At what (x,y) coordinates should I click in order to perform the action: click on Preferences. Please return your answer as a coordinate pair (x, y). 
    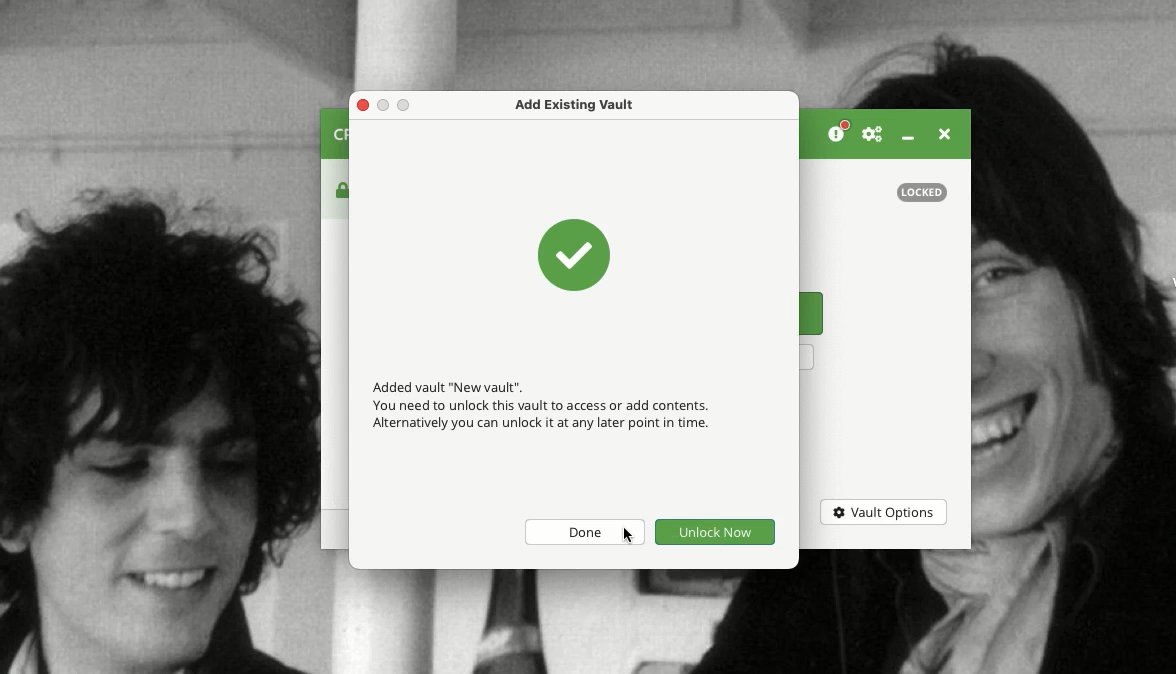
    Looking at the image, I should click on (873, 134).